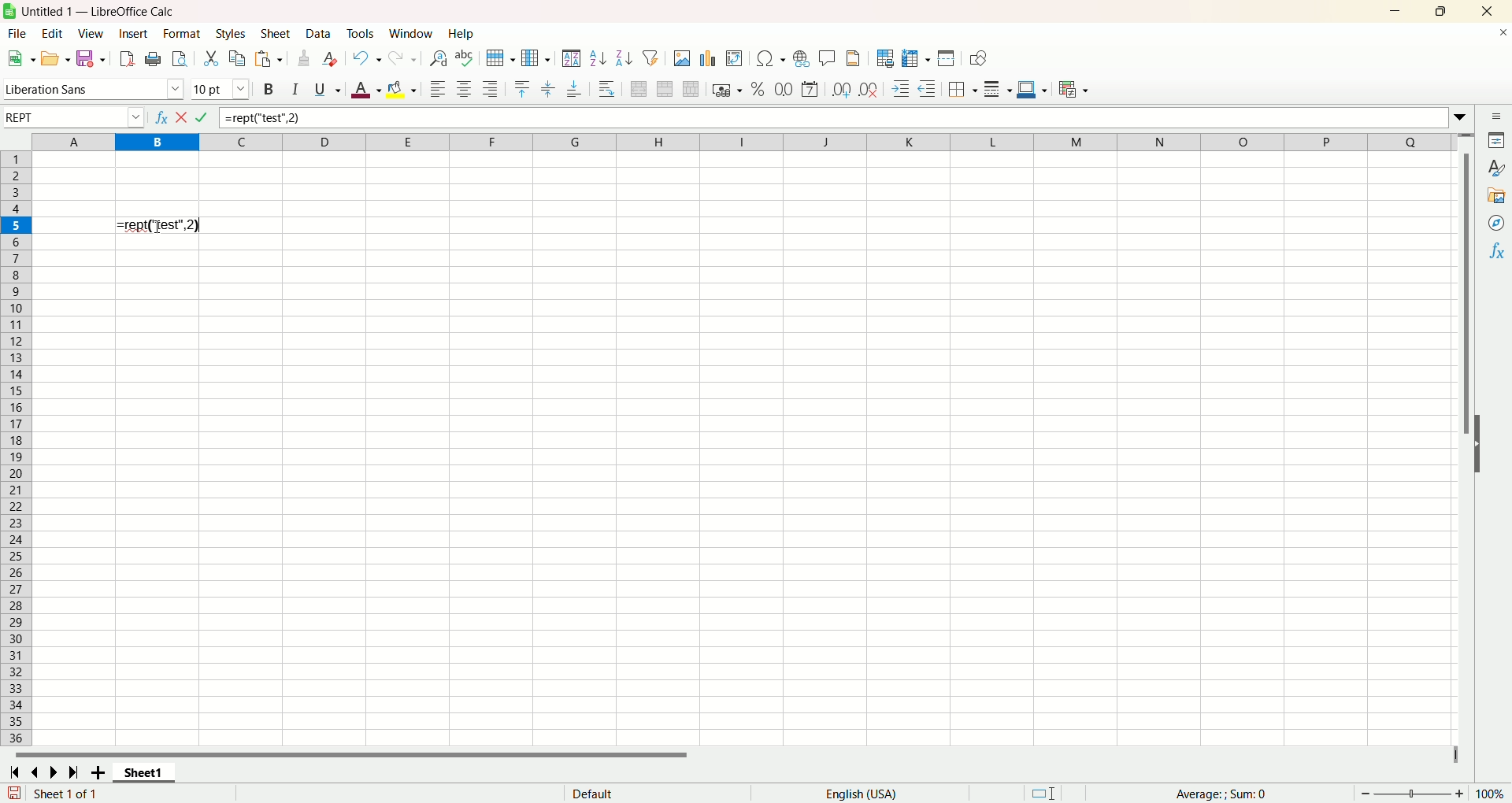  Describe the element at coordinates (1498, 223) in the screenshot. I see `navigator` at that location.